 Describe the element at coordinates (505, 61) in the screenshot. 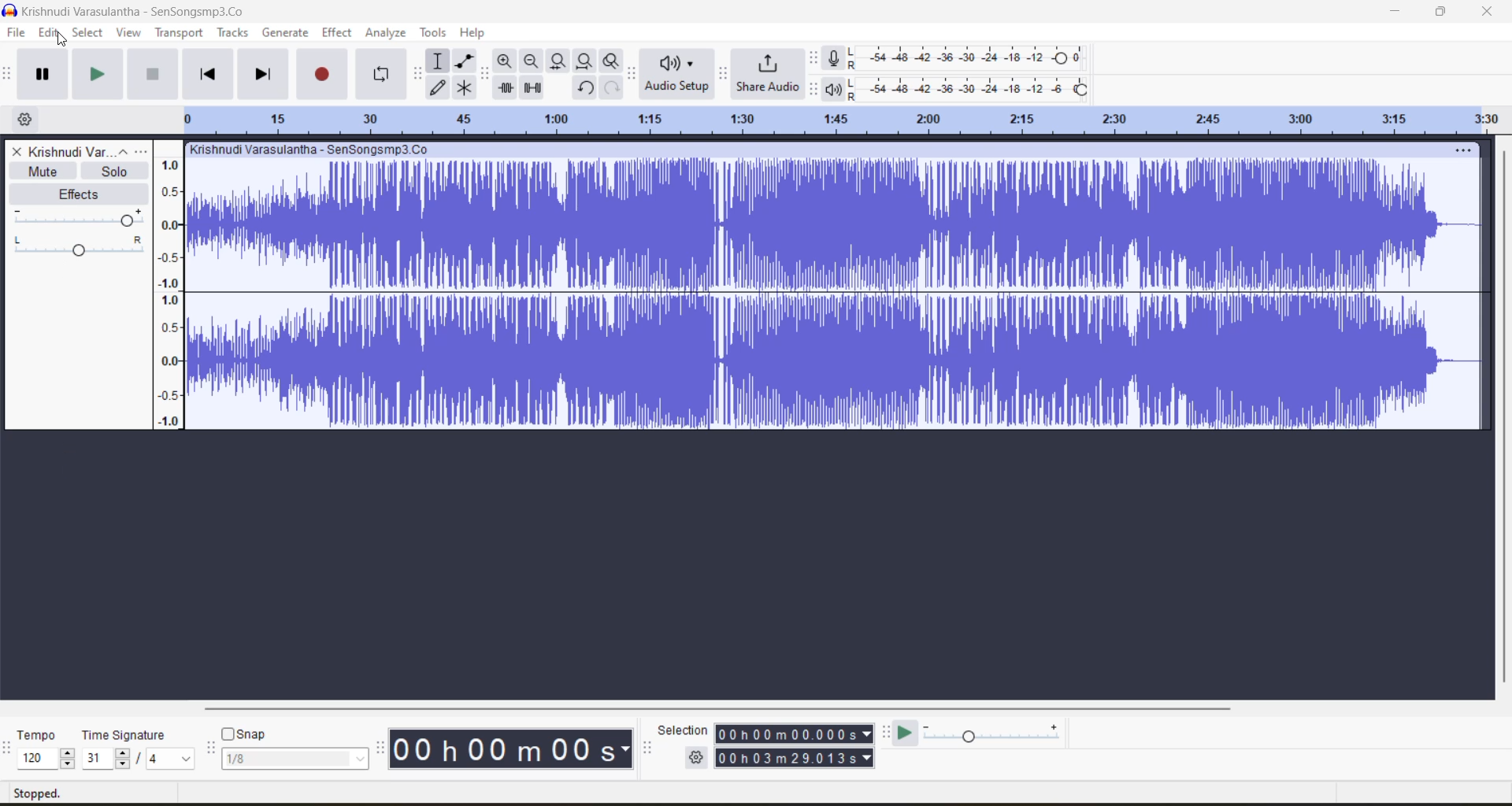

I see `zoom in` at that location.